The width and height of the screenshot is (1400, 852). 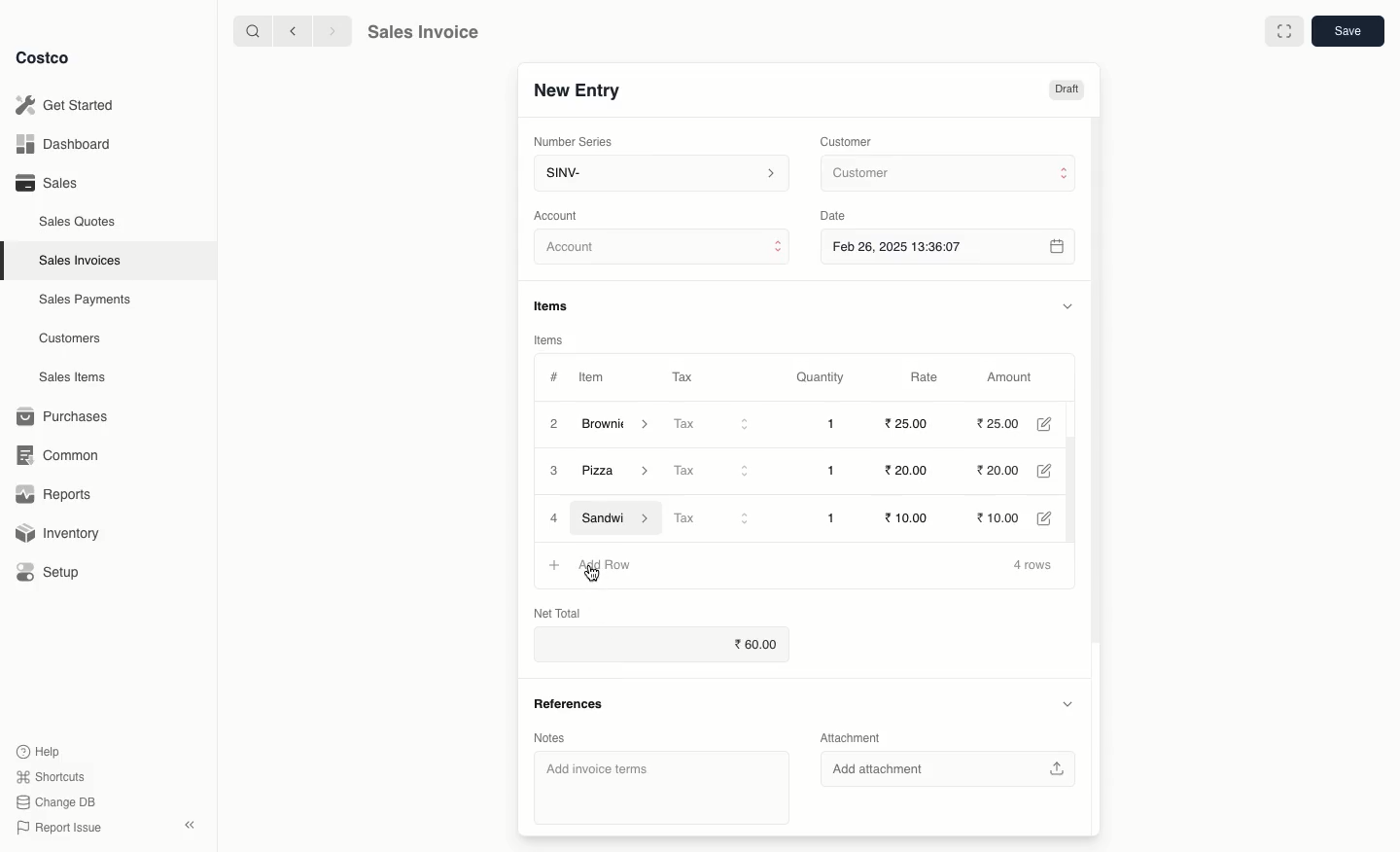 What do you see at coordinates (558, 305) in the screenshot?
I see `Items` at bounding box center [558, 305].